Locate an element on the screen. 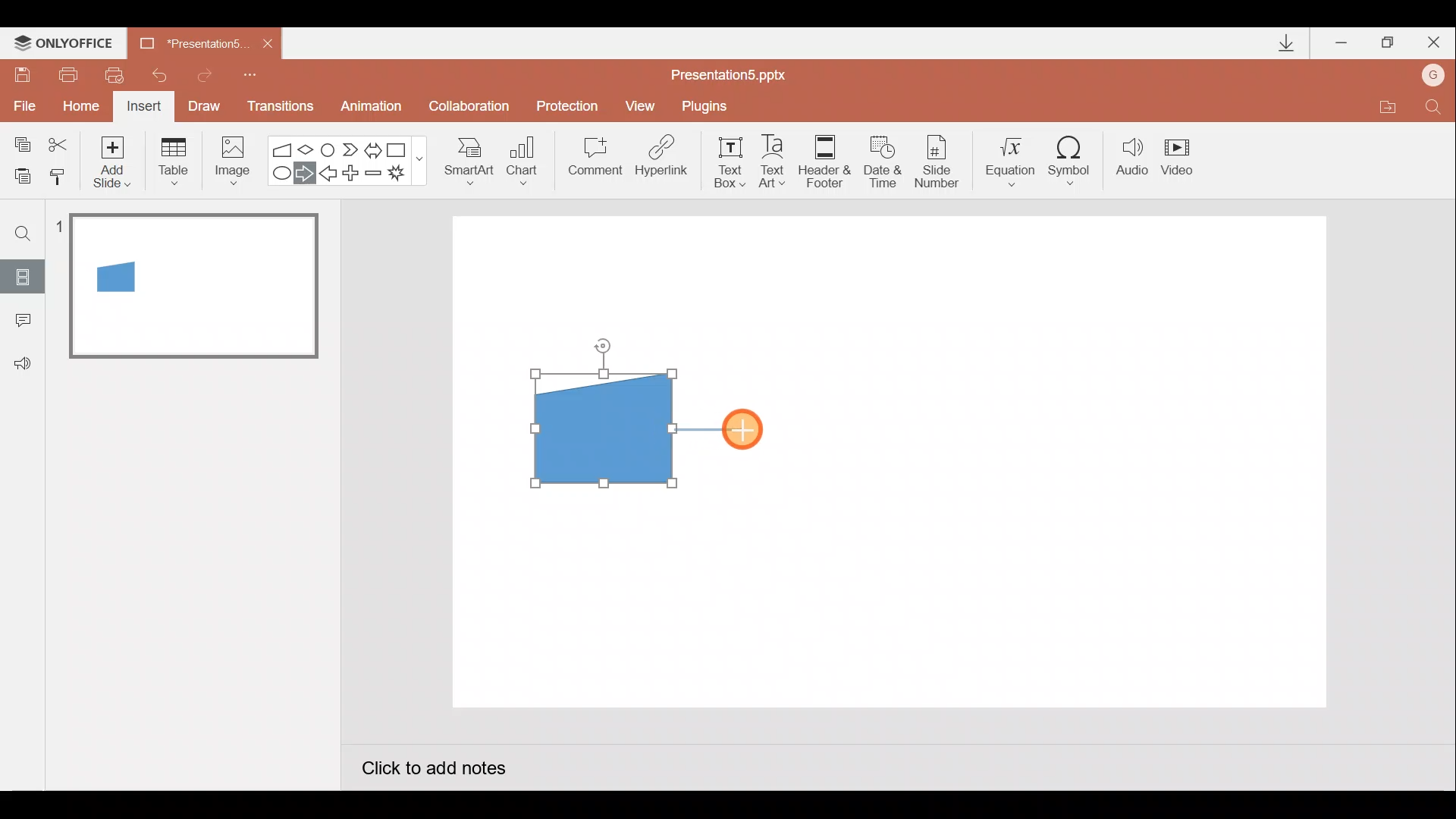  Slides is located at coordinates (22, 276).